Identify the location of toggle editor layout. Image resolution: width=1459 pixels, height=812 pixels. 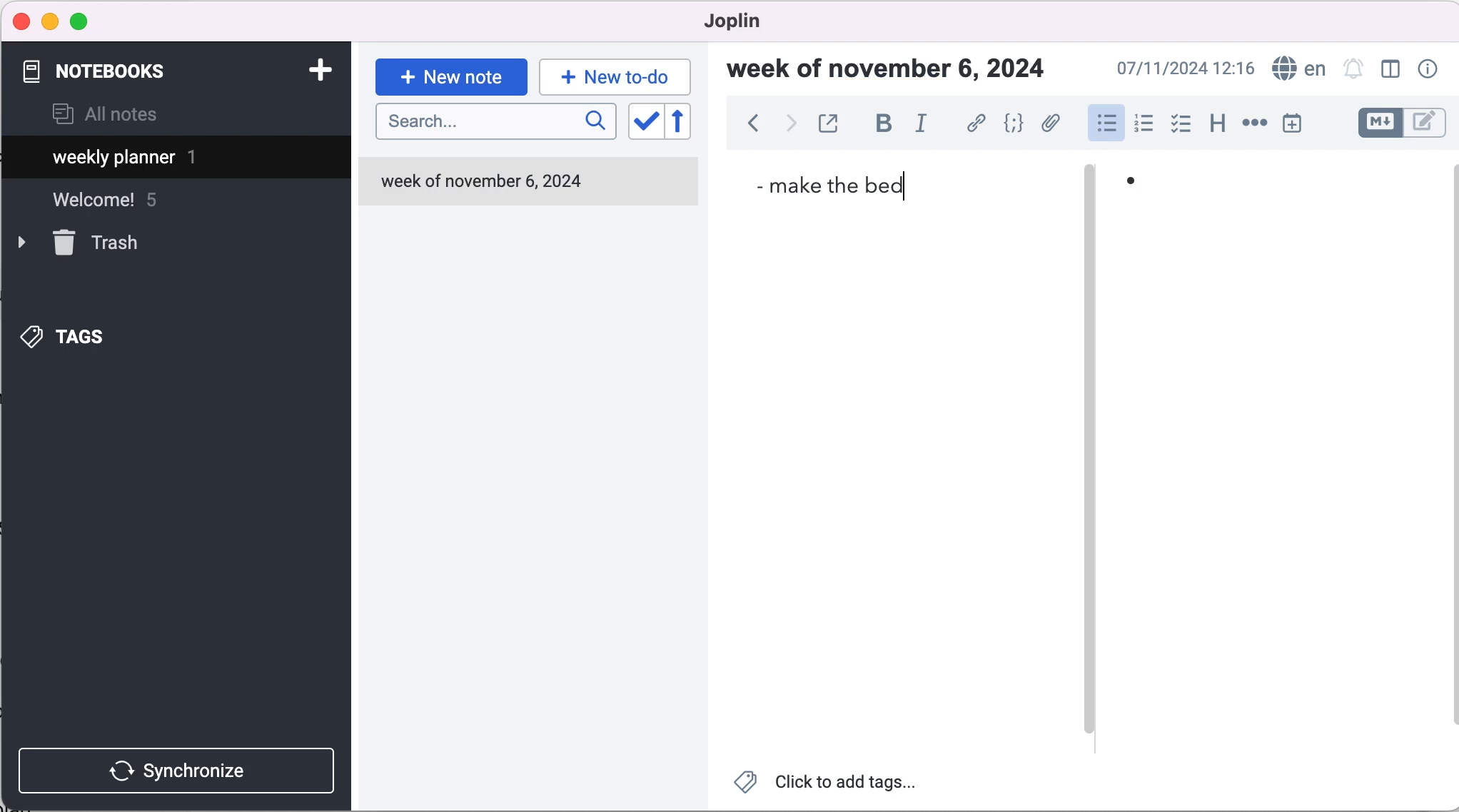
(1394, 71).